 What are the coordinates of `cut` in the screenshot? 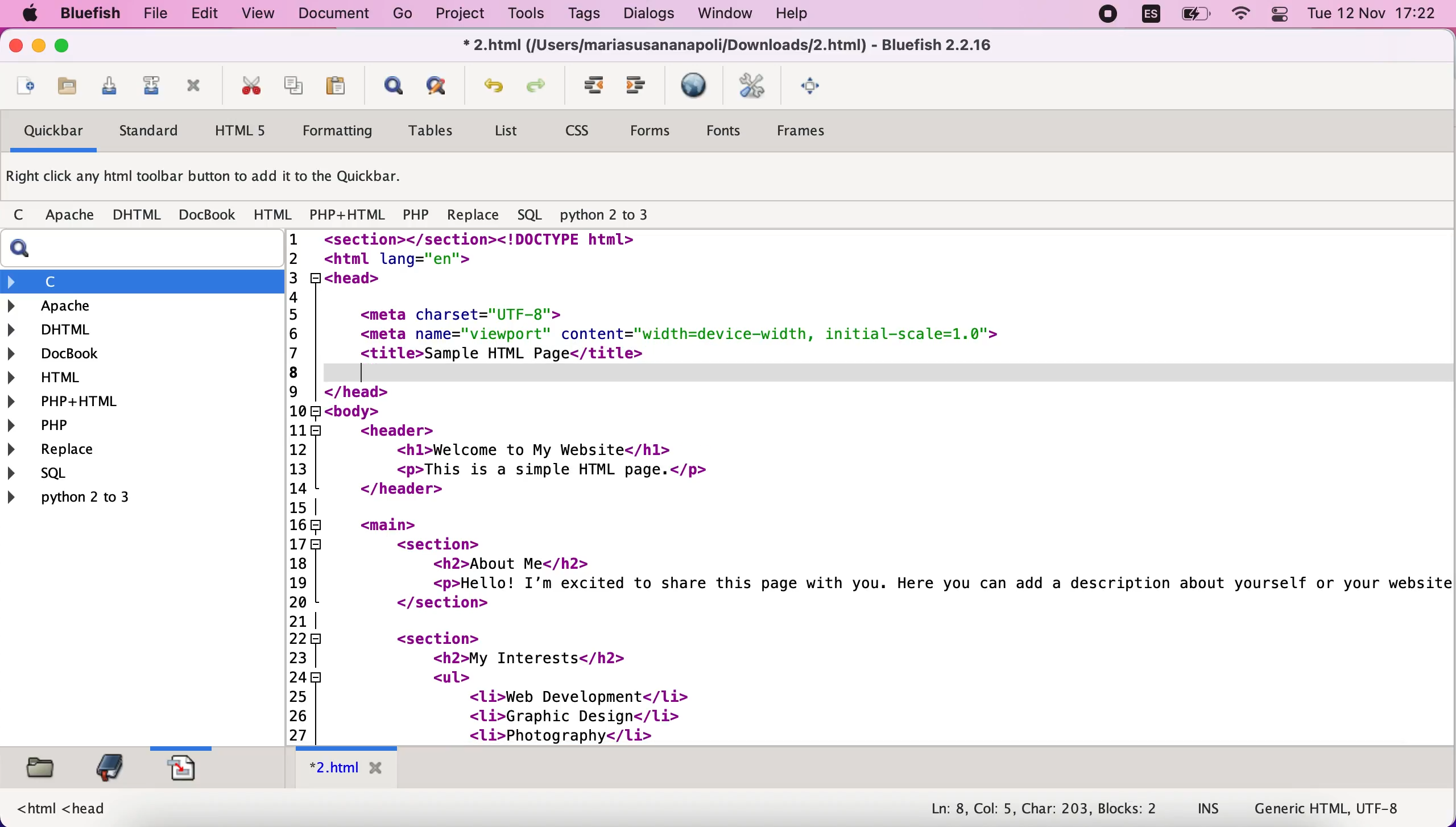 It's located at (253, 86).